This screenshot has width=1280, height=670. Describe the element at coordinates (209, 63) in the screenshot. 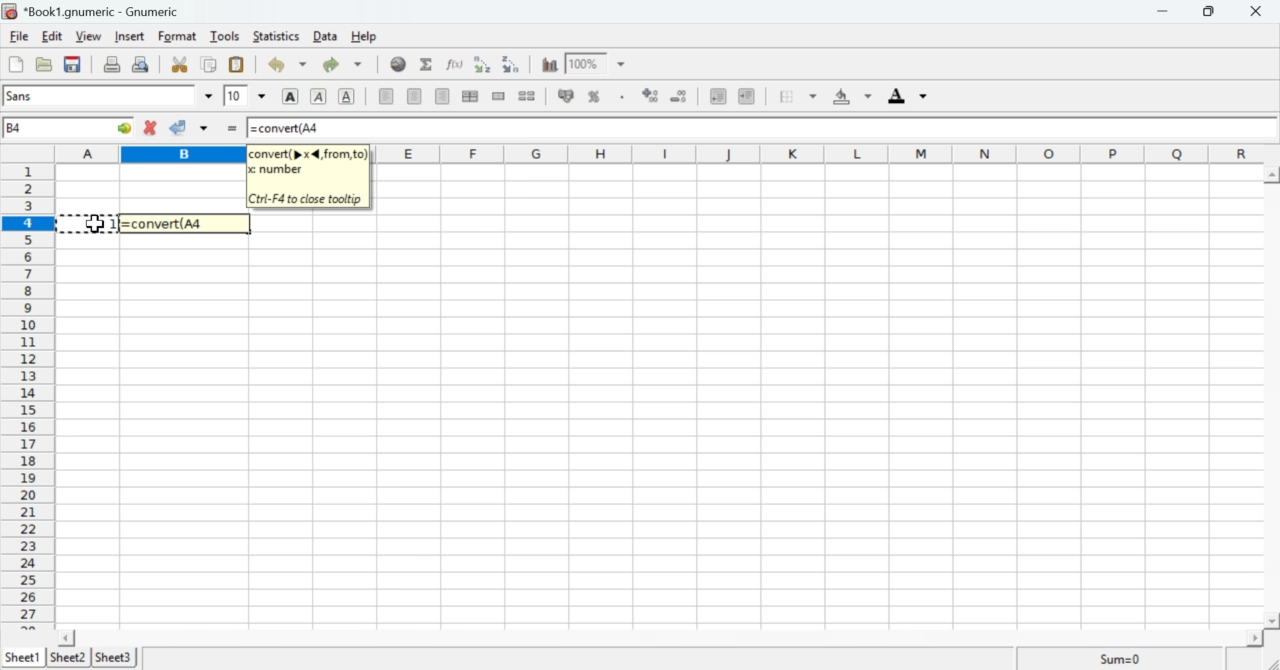

I see `Copy selection` at that location.